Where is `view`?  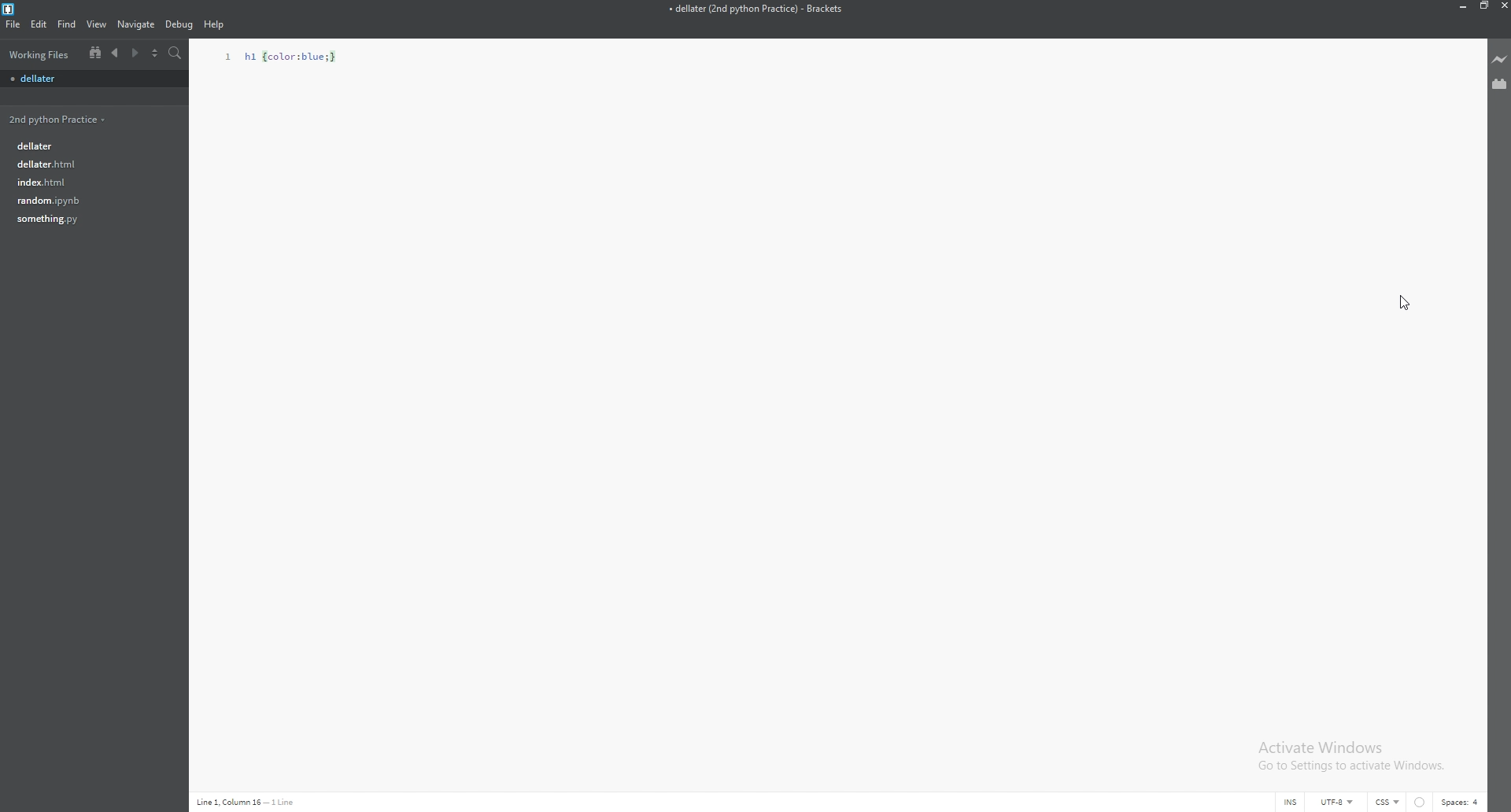 view is located at coordinates (98, 24).